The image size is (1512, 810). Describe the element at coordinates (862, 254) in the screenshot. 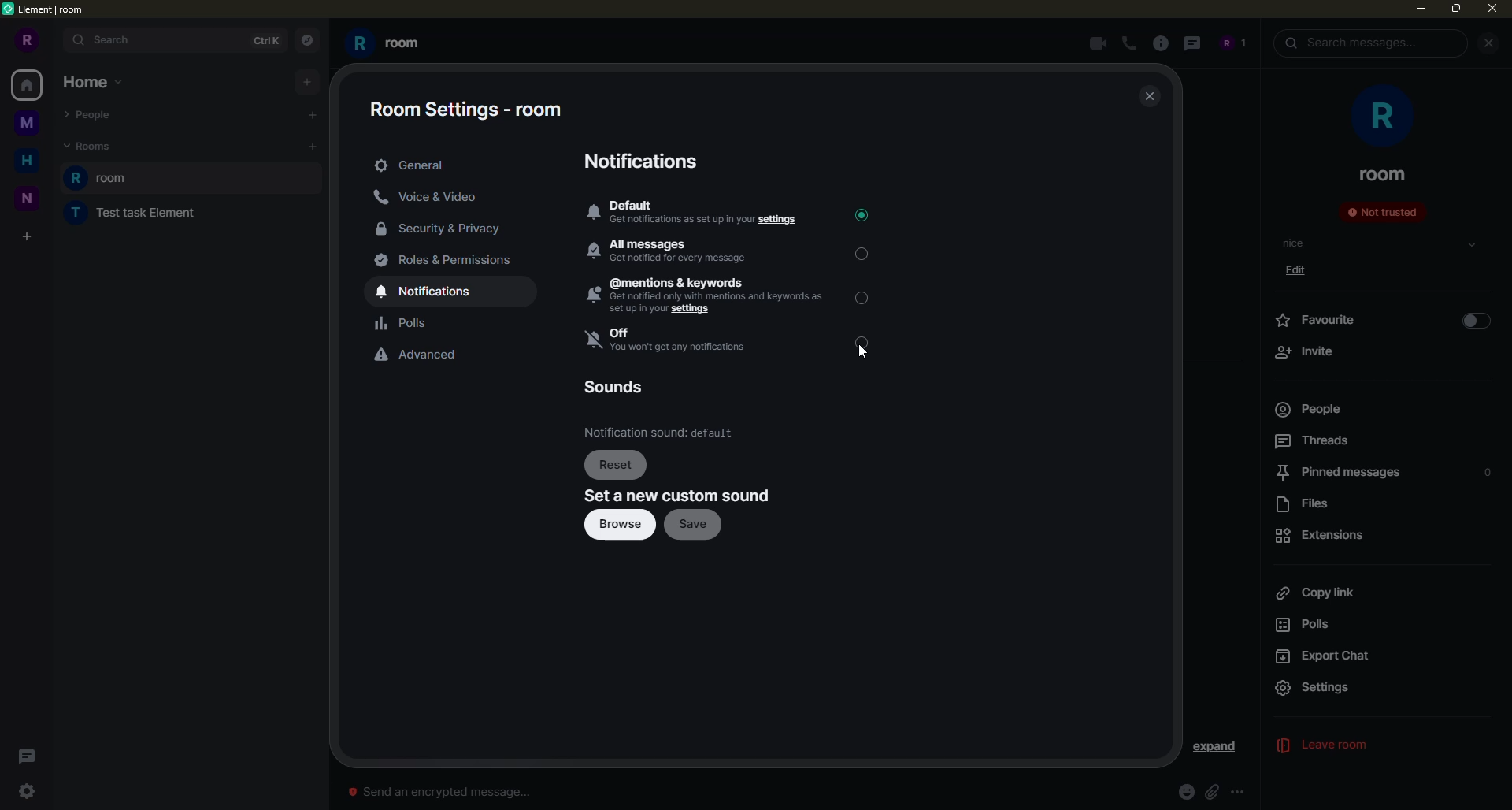

I see `click to select` at that location.